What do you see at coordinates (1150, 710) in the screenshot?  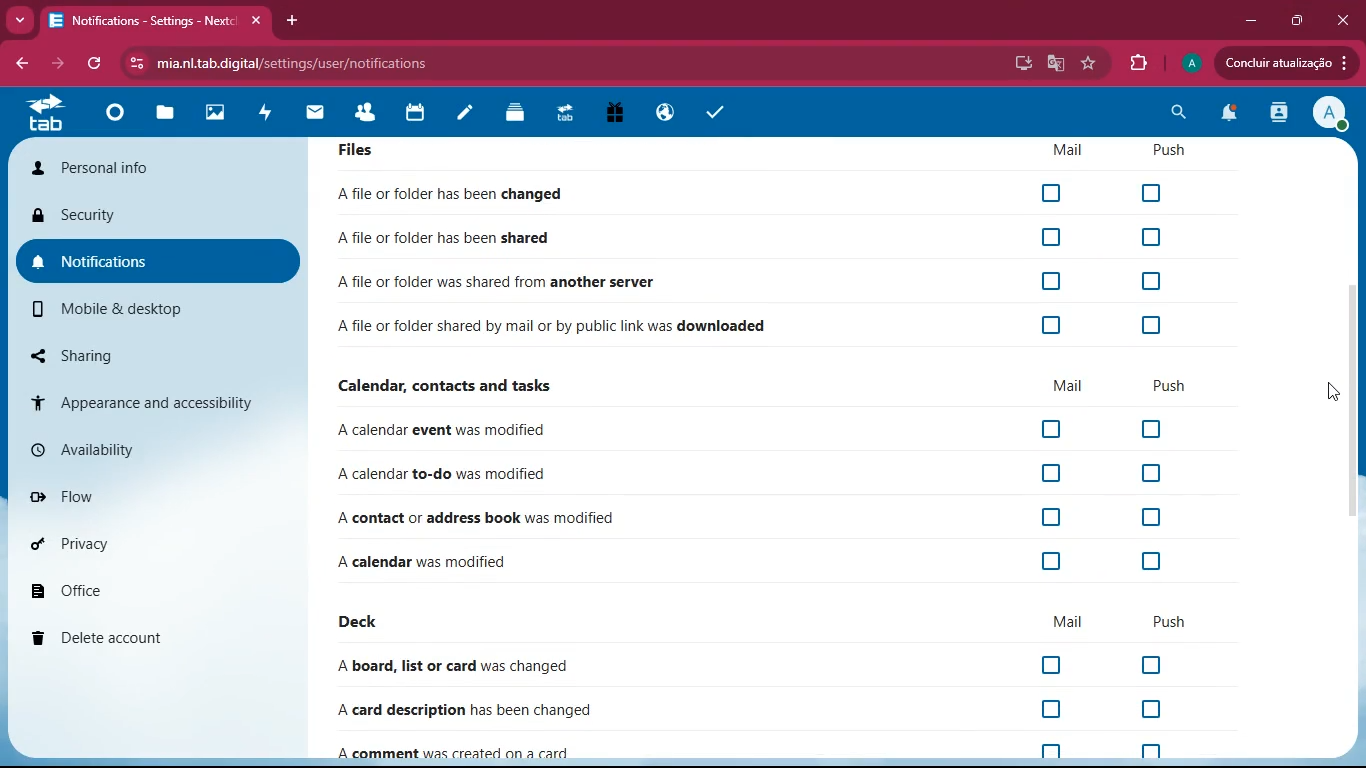 I see `off` at bounding box center [1150, 710].